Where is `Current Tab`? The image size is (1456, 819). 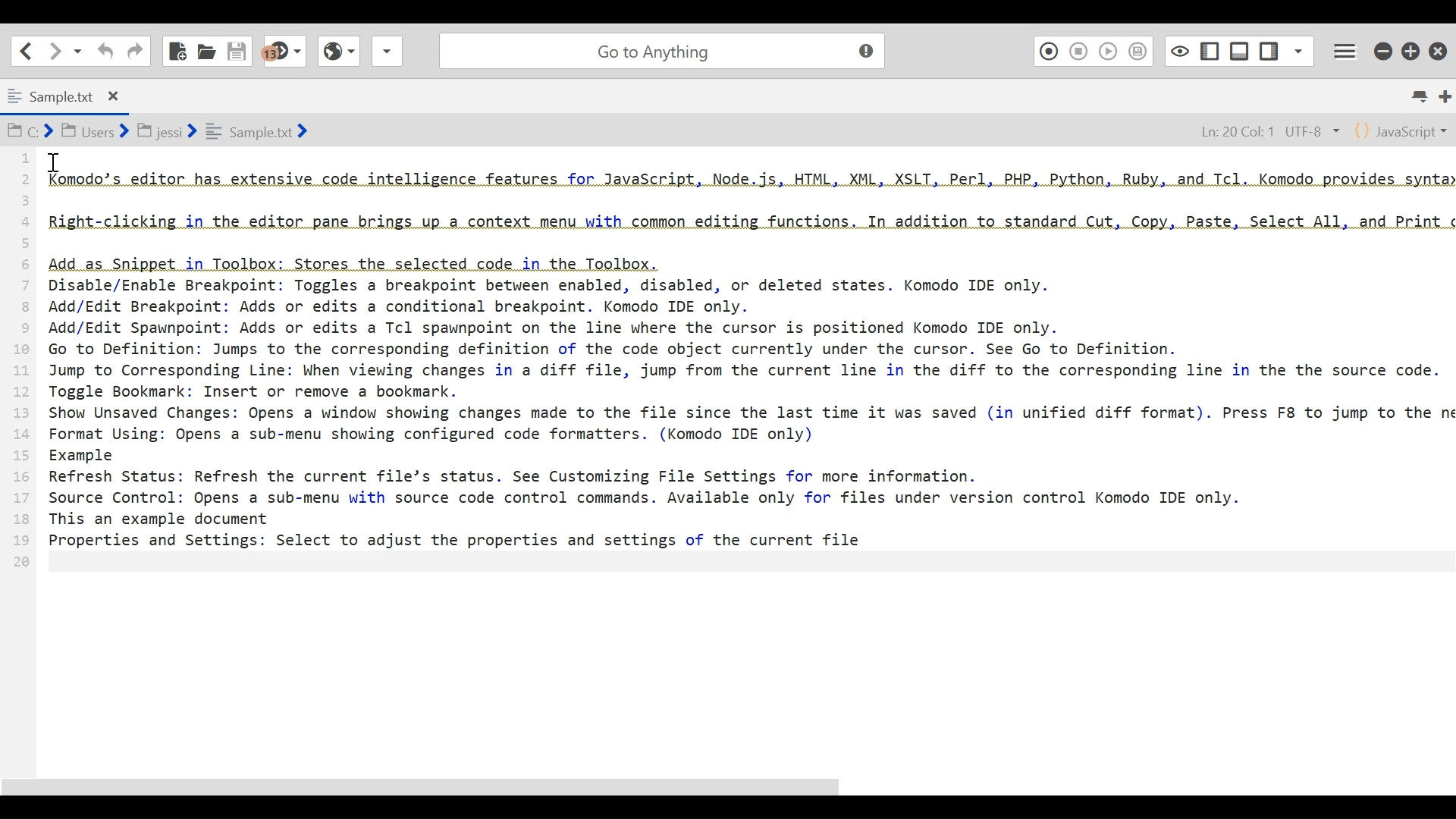 Current Tab is located at coordinates (68, 94).